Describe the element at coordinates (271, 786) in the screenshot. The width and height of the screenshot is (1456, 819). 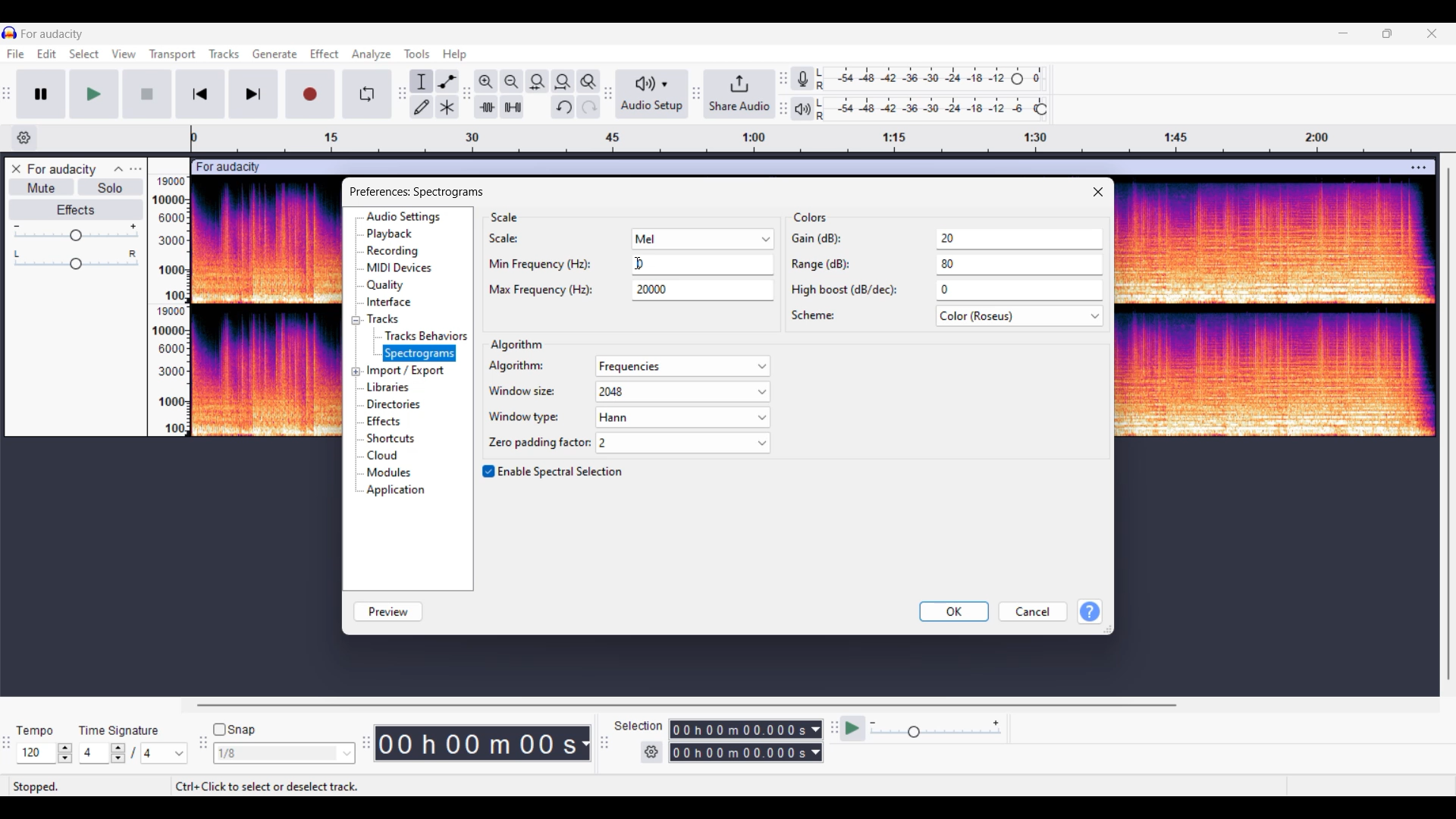
I see `Instructions for cursor` at that location.